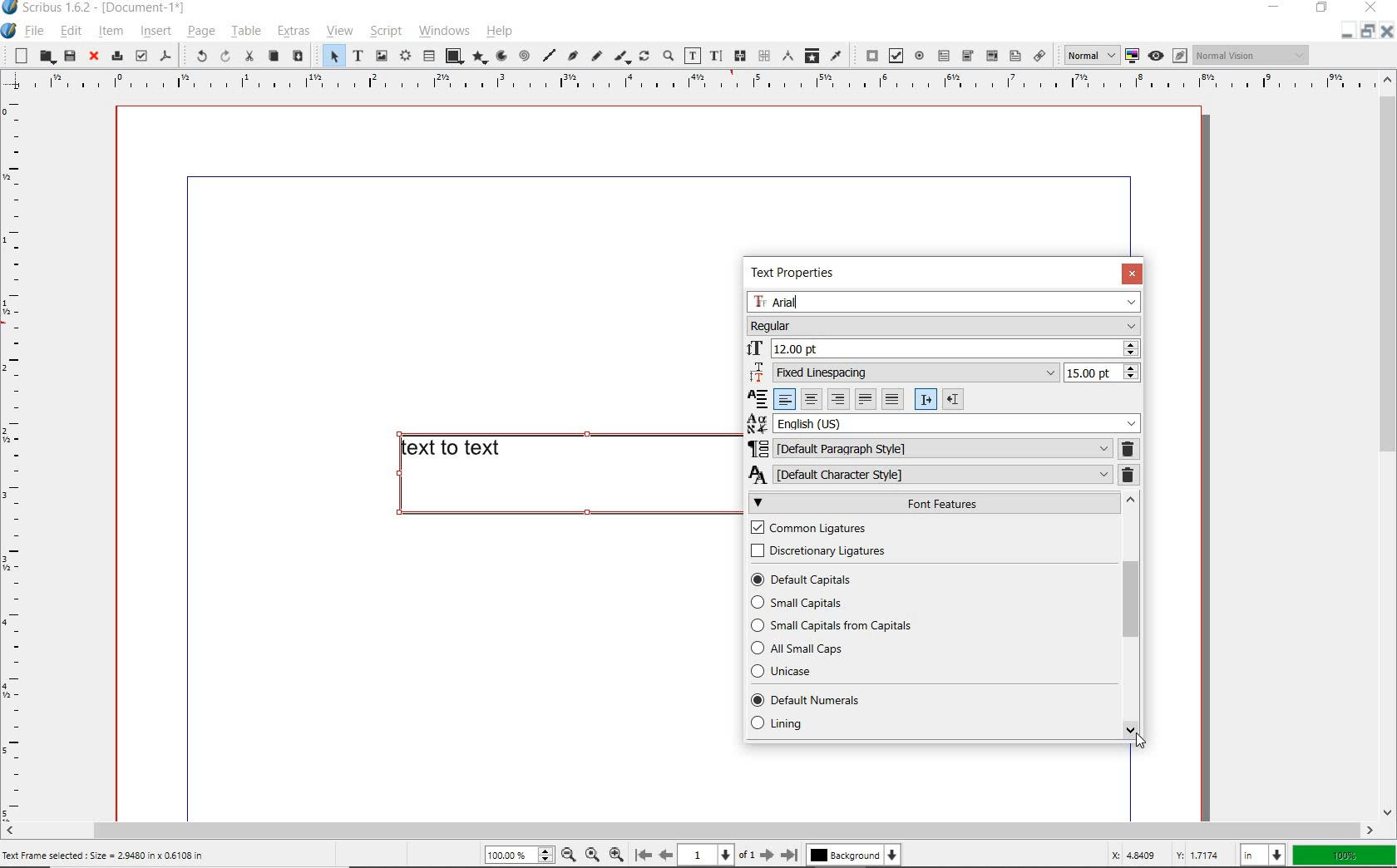 Image resolution: width=1397 pixels, height=868 pixels. Describe the element at coordinates (837, 400) in the screenshot. I see `Right align` at that location.